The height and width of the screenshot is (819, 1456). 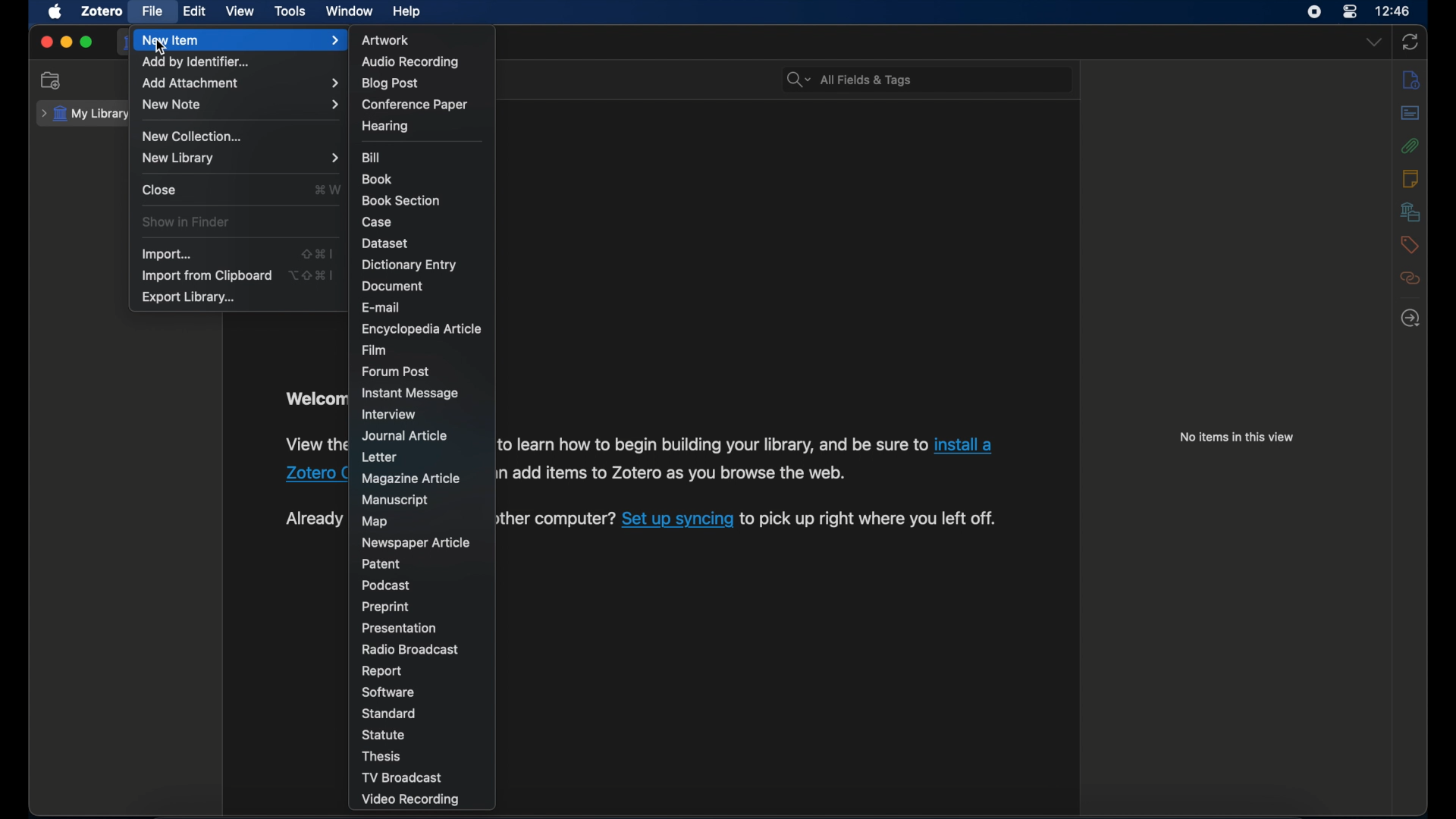 I want to click on edit, so click(x=196, y=11).